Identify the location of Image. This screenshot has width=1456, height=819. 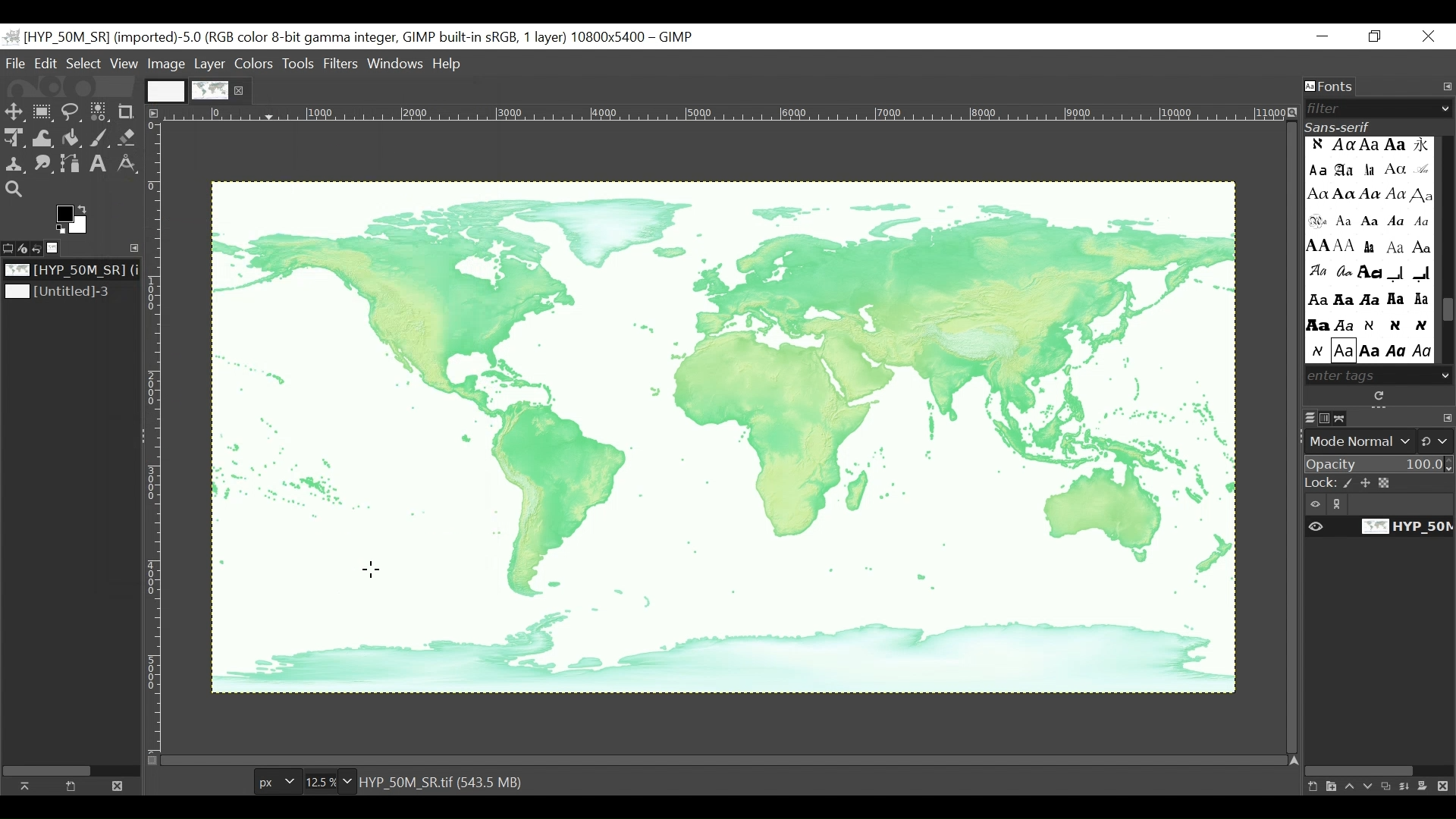
(69, 271).